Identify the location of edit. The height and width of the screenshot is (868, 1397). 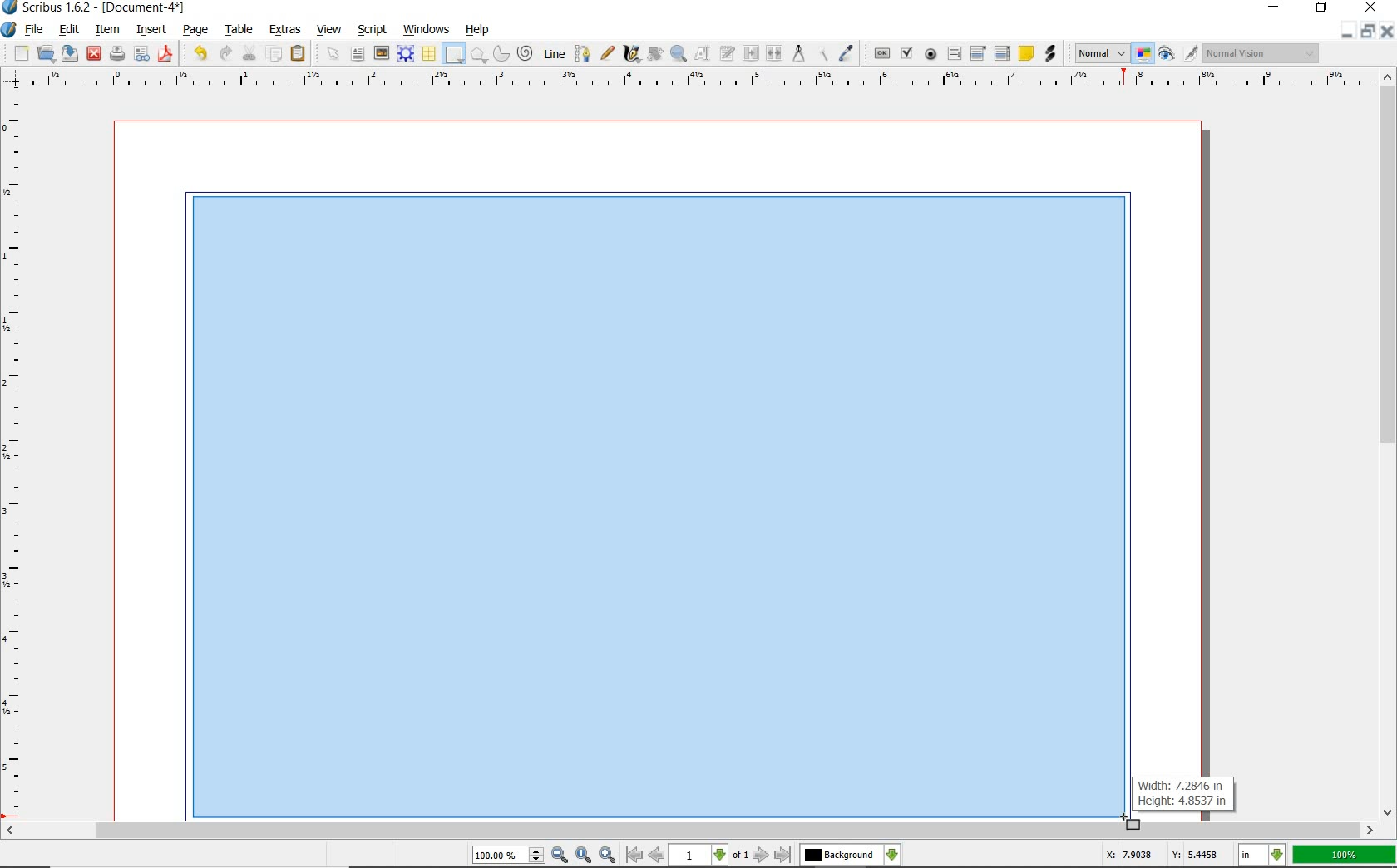
(70, 29).